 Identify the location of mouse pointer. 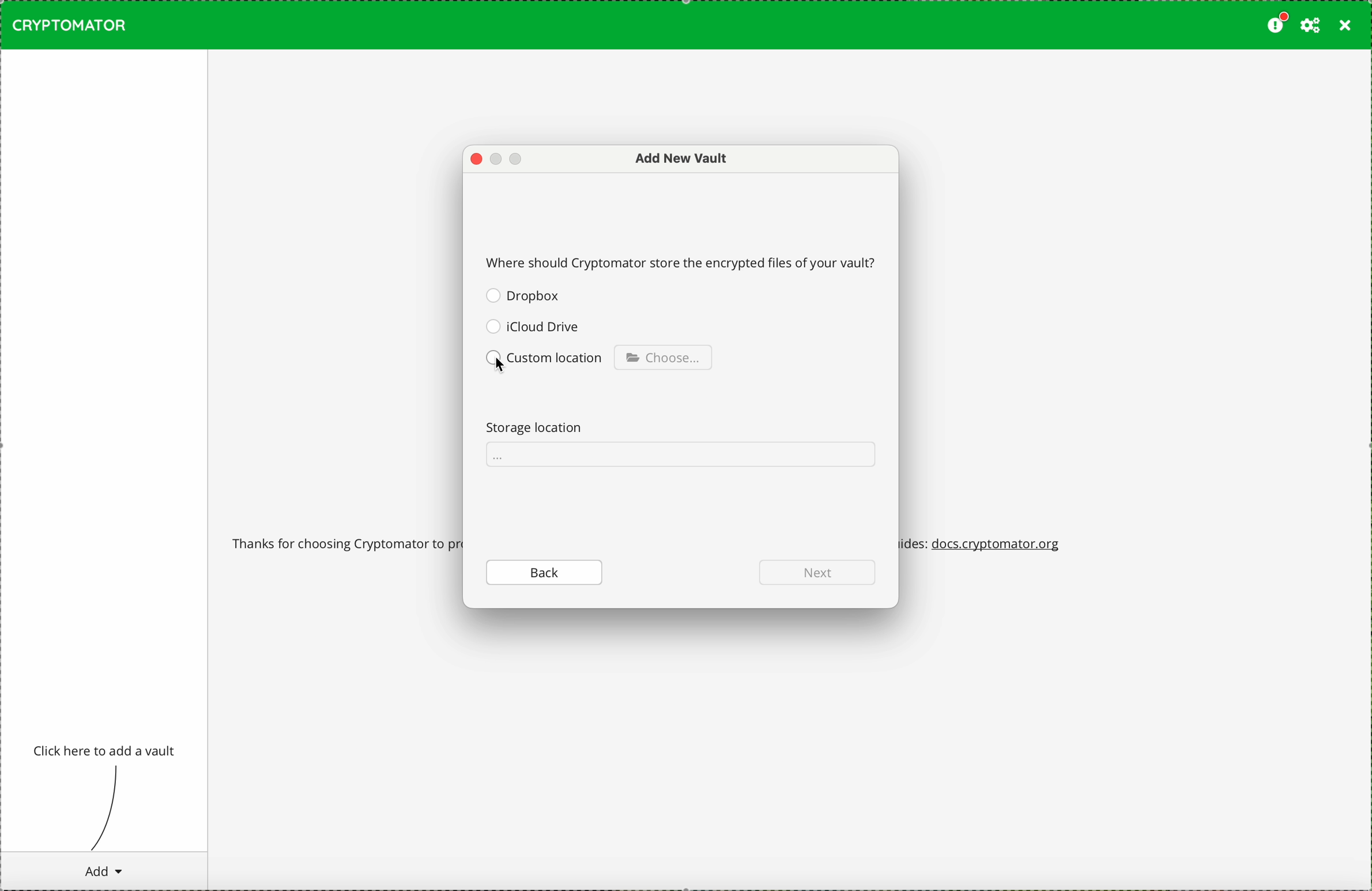
(502, 363).